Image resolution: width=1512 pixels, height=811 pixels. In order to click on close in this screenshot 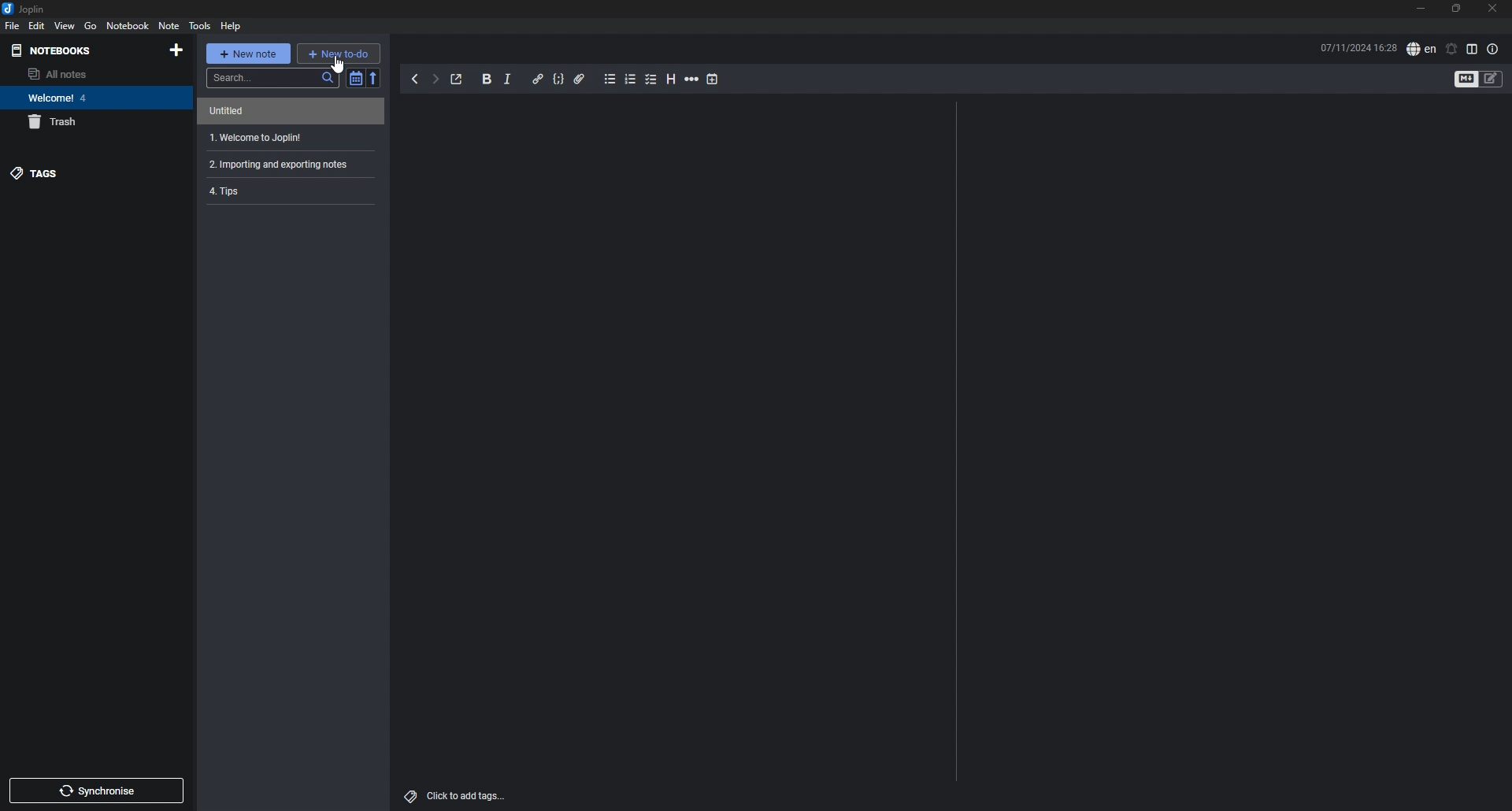, I will do `click(1492, 9)`.